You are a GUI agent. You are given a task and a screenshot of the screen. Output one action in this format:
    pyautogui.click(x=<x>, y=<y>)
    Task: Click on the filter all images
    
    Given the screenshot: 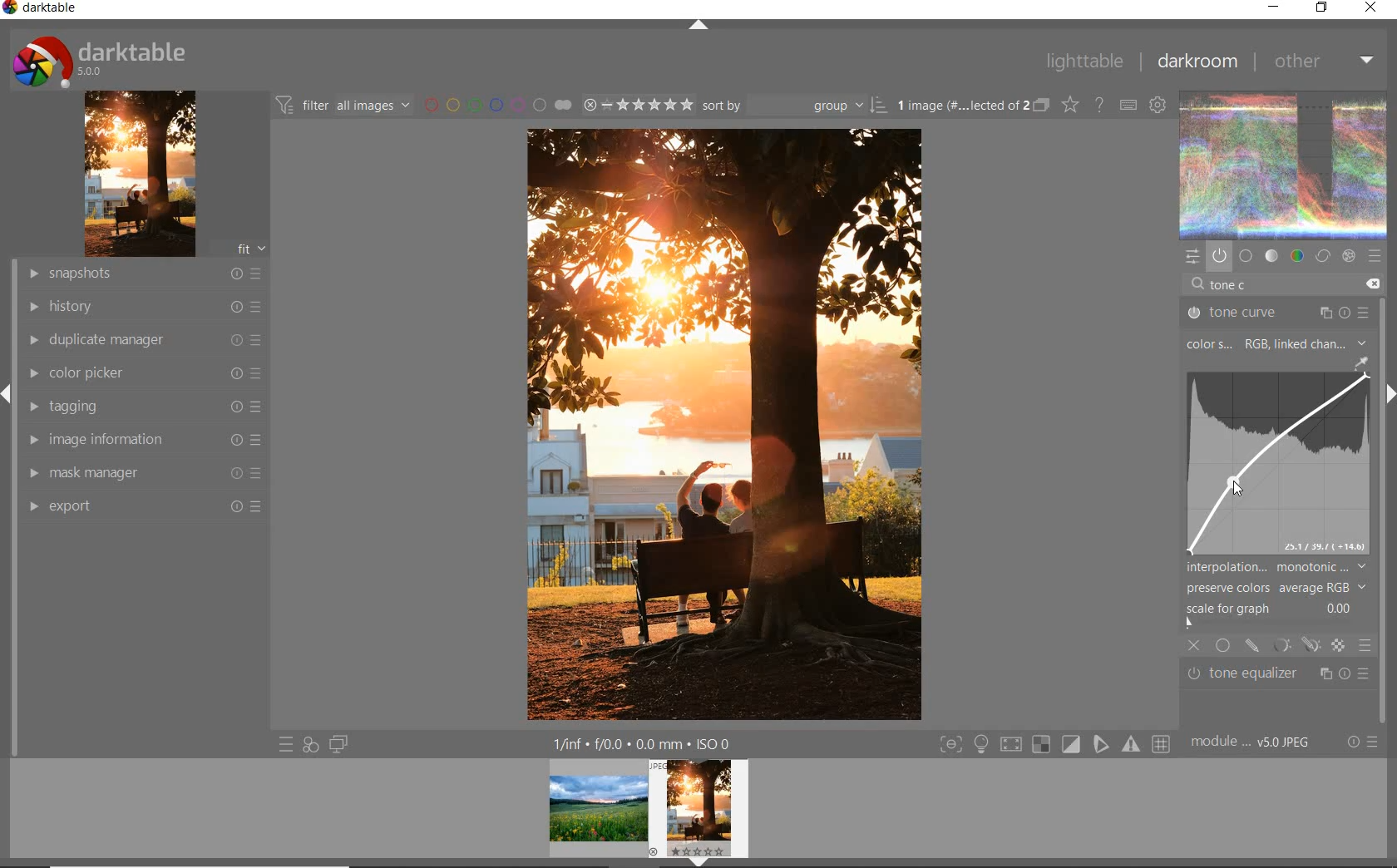 What is the action you would take?
    pyautogui.click(x=345, y=106)
    